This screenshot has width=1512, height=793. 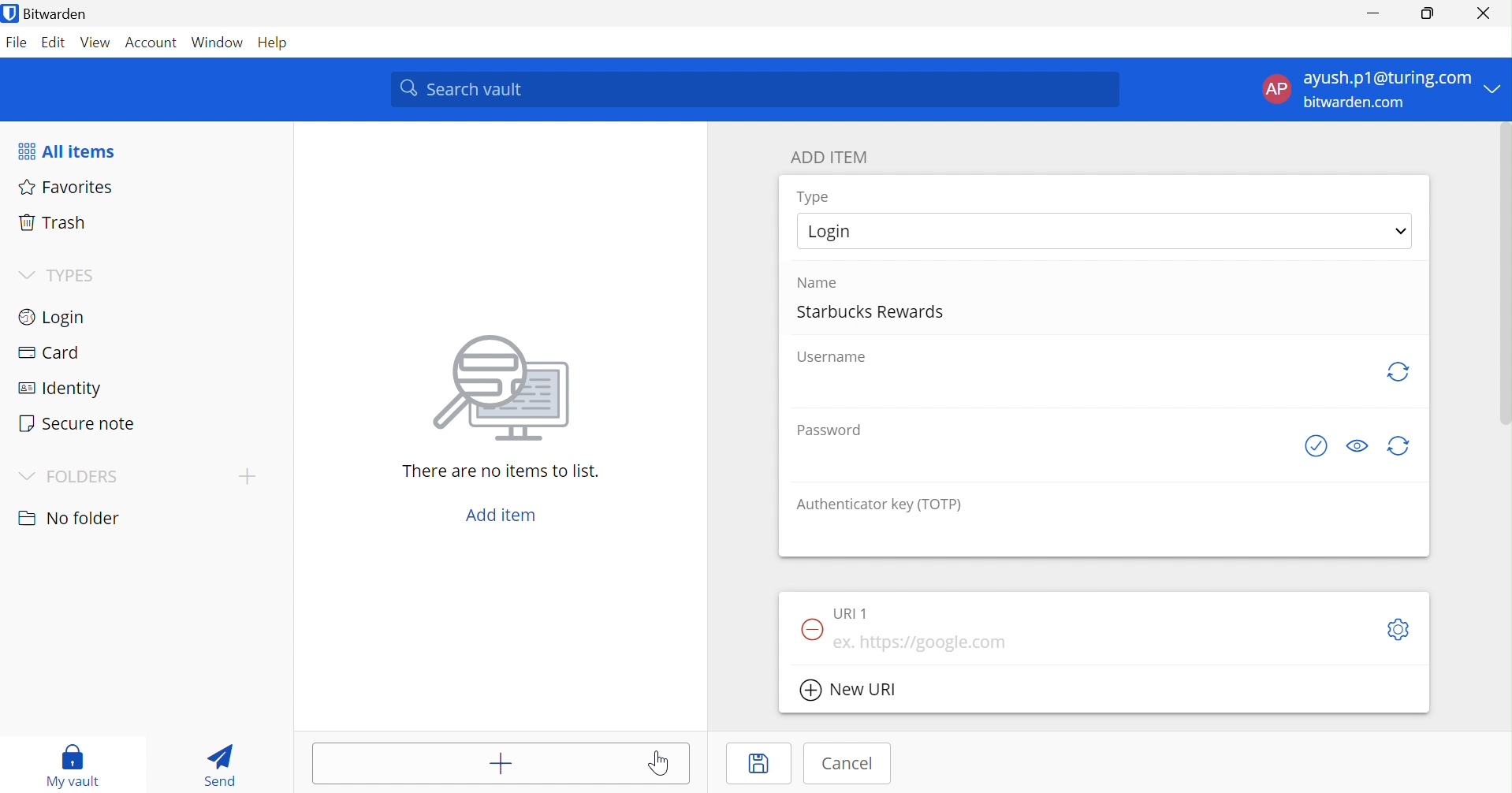 I want to click on Minimize, so click(x=1375, y=9).